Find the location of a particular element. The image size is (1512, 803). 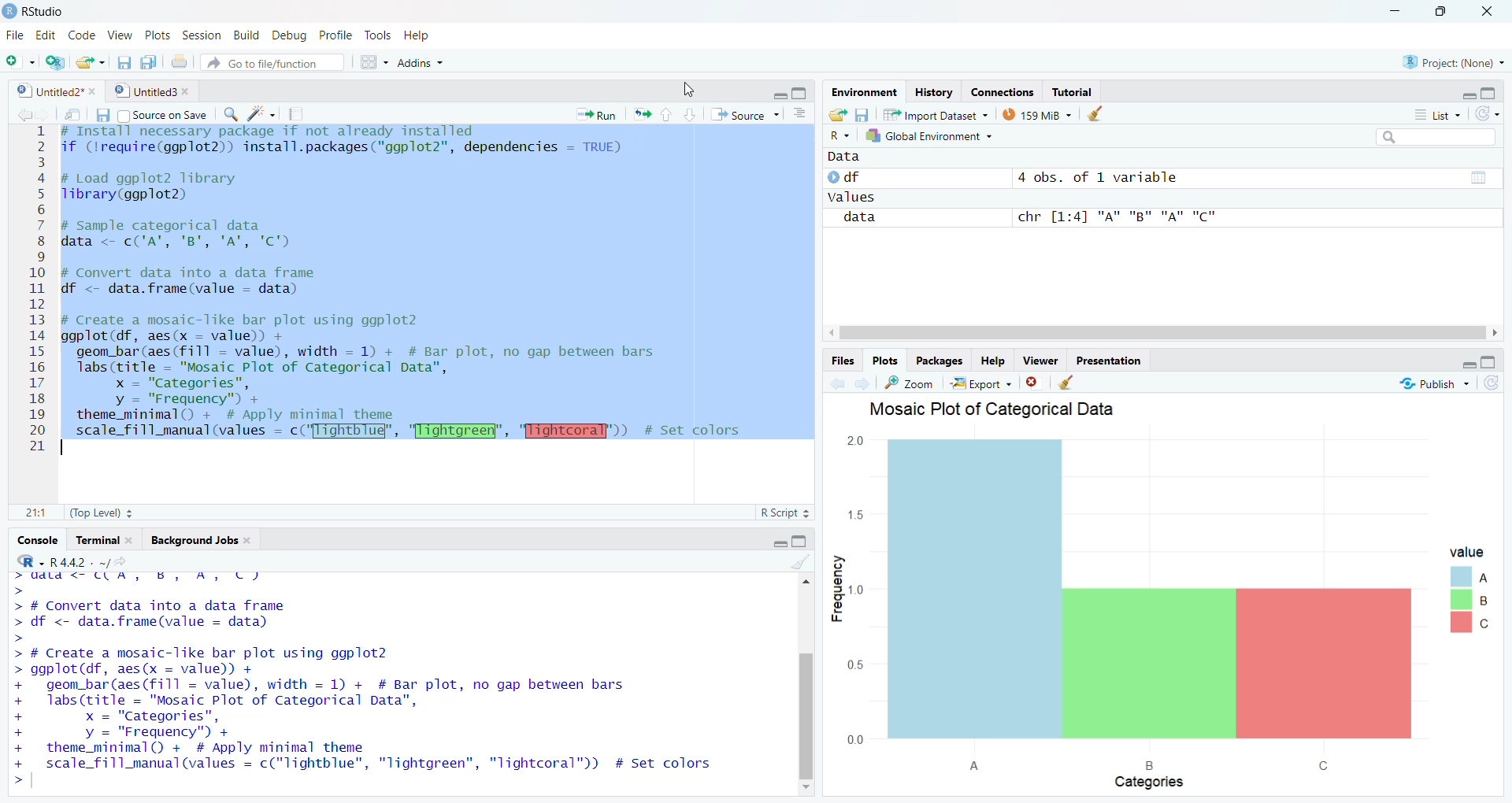

Terminal is located at coordinates (104, 540).